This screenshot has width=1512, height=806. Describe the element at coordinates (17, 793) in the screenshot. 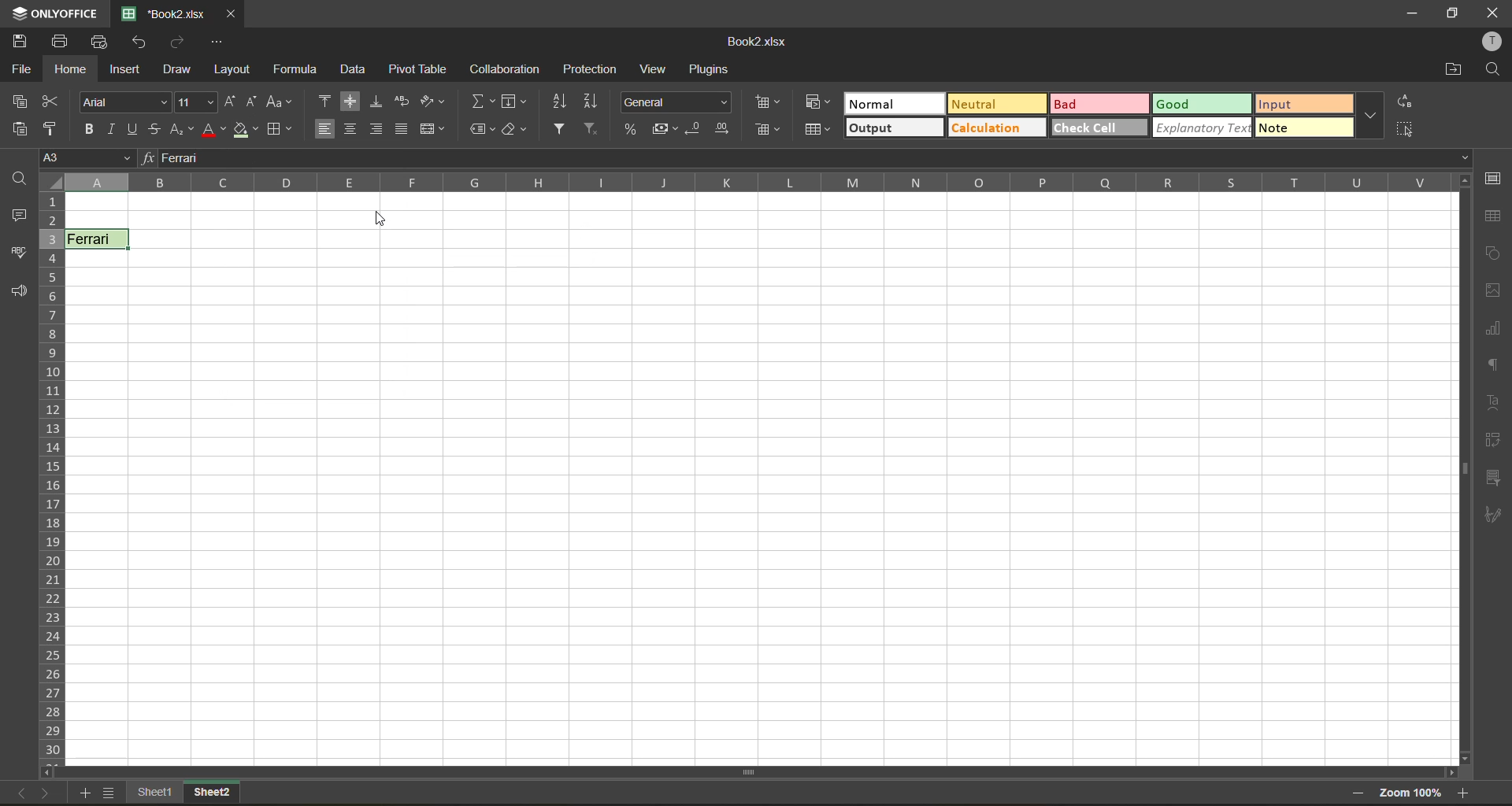

I see `previous` at that location.